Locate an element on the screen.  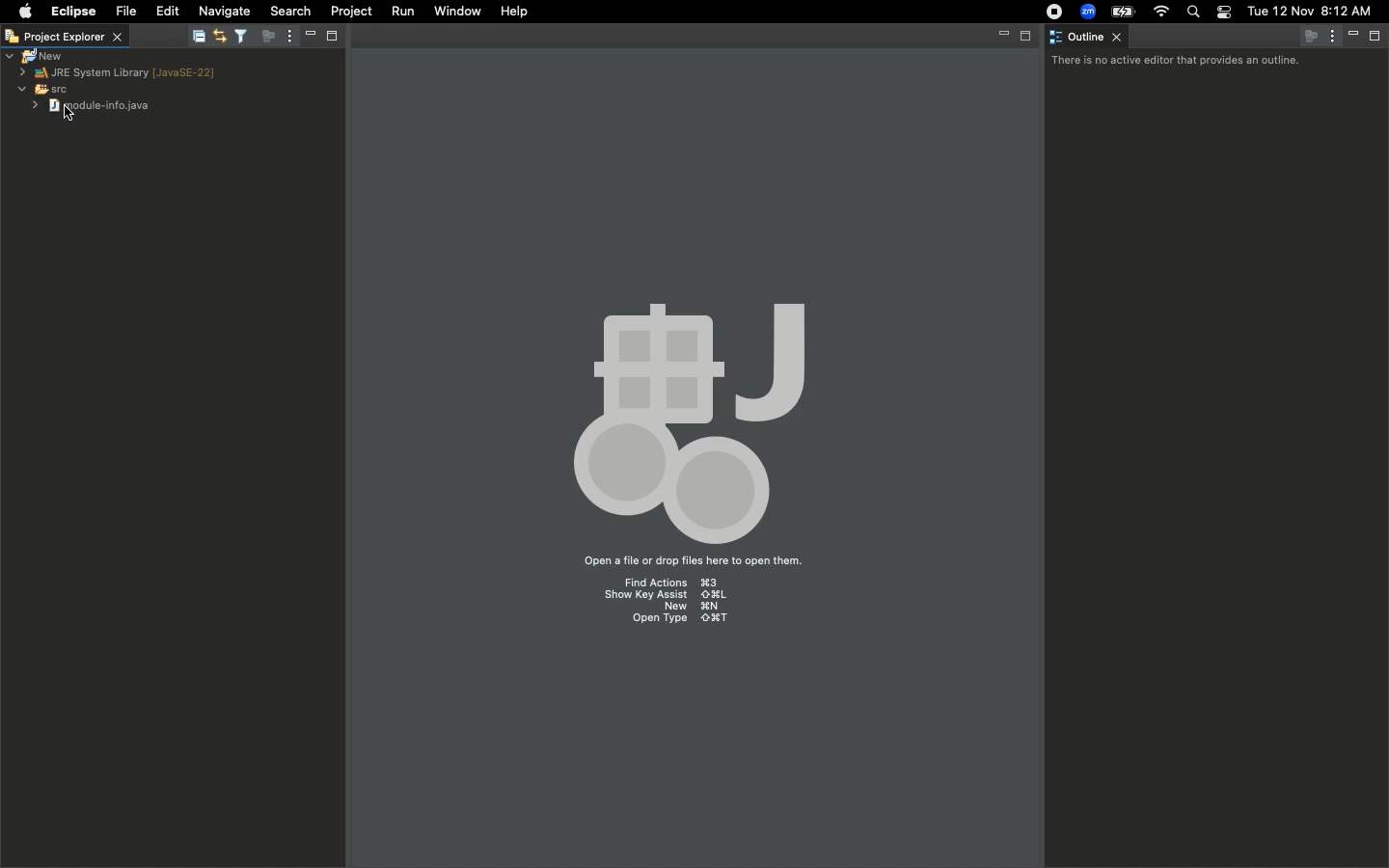
JRE system library is located at coordinates (120, 74).